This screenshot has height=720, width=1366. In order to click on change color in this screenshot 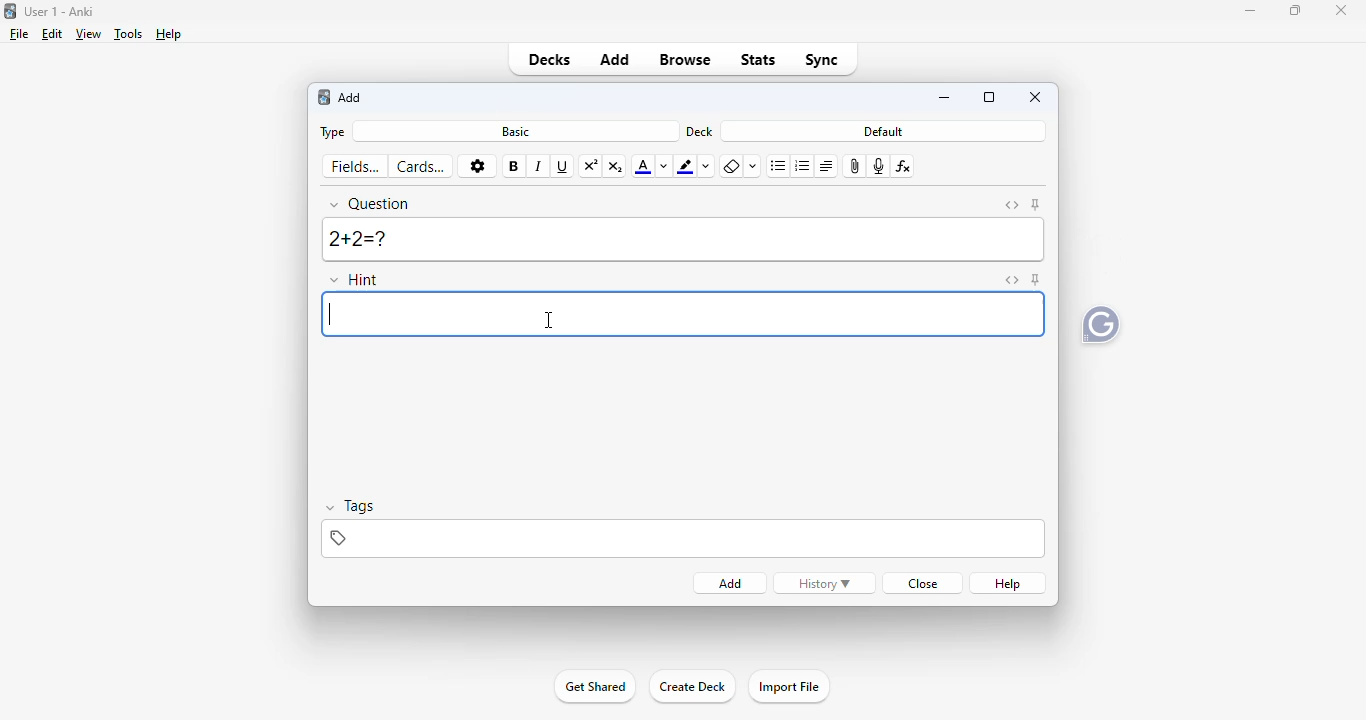, I will do `click(664, 167)`.